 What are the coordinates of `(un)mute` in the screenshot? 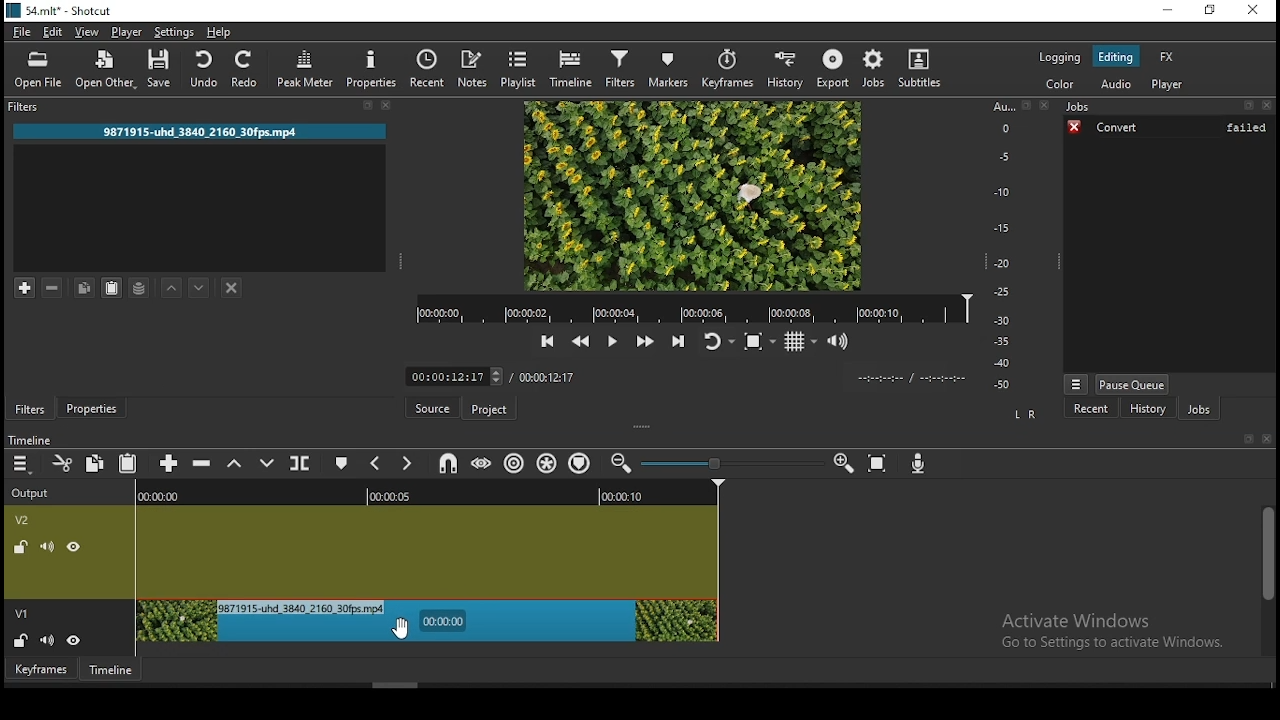 It's located at (48, 638).